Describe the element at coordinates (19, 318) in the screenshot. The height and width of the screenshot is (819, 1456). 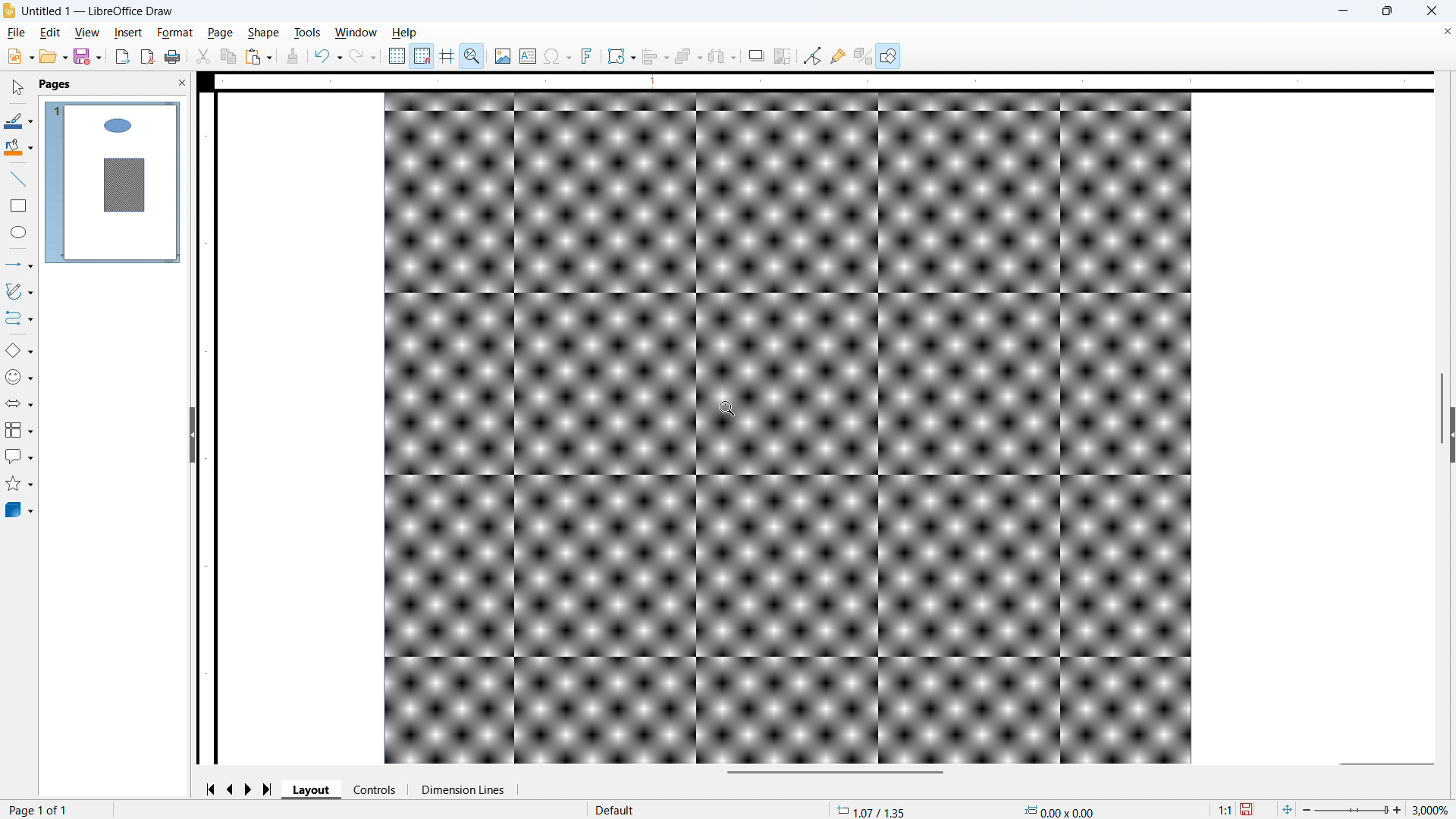
I see `Connectors ` at that location.